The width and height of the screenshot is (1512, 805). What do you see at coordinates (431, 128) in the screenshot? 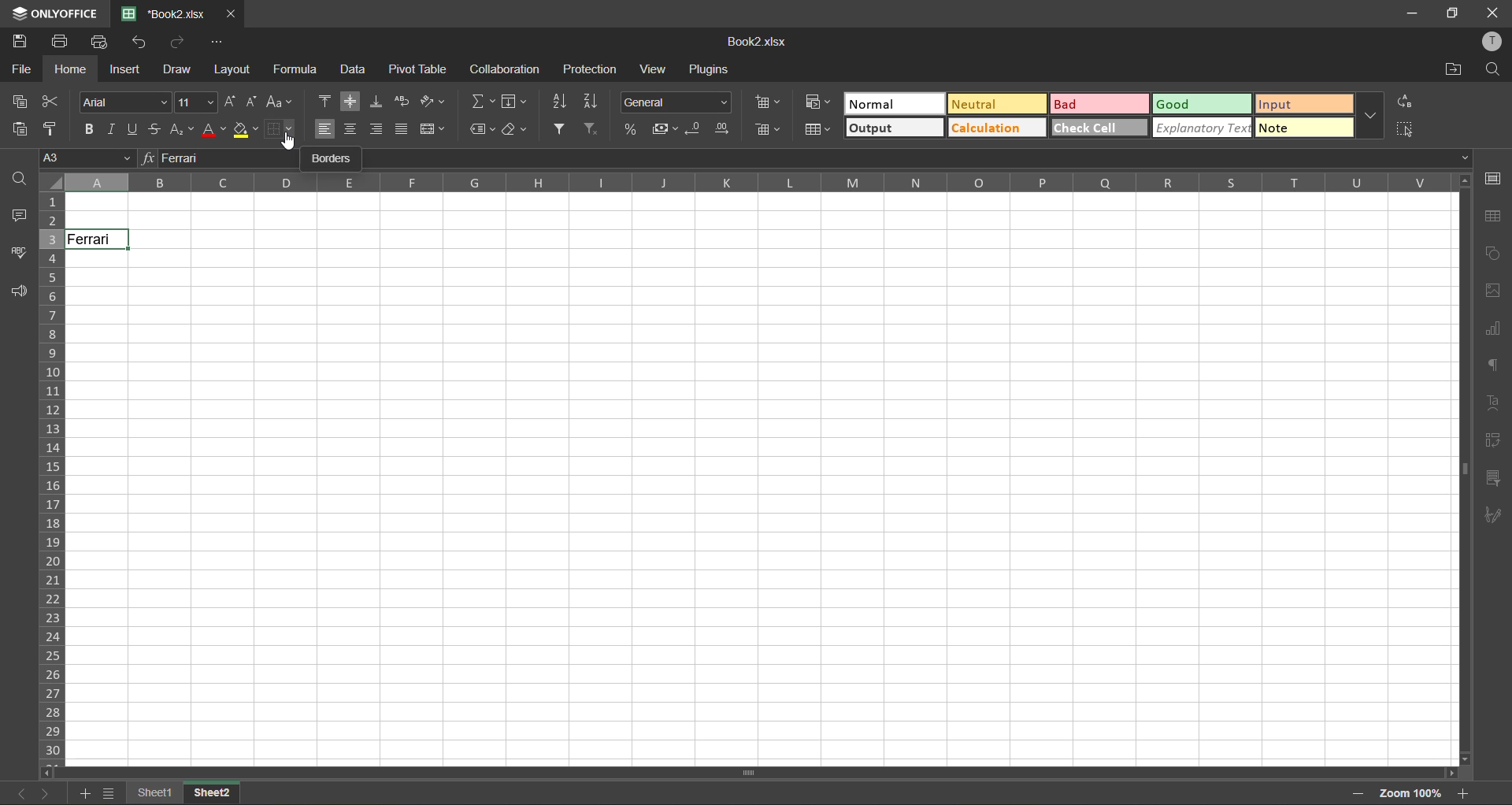
I see `merge and center` at bounding box center [431, 128].